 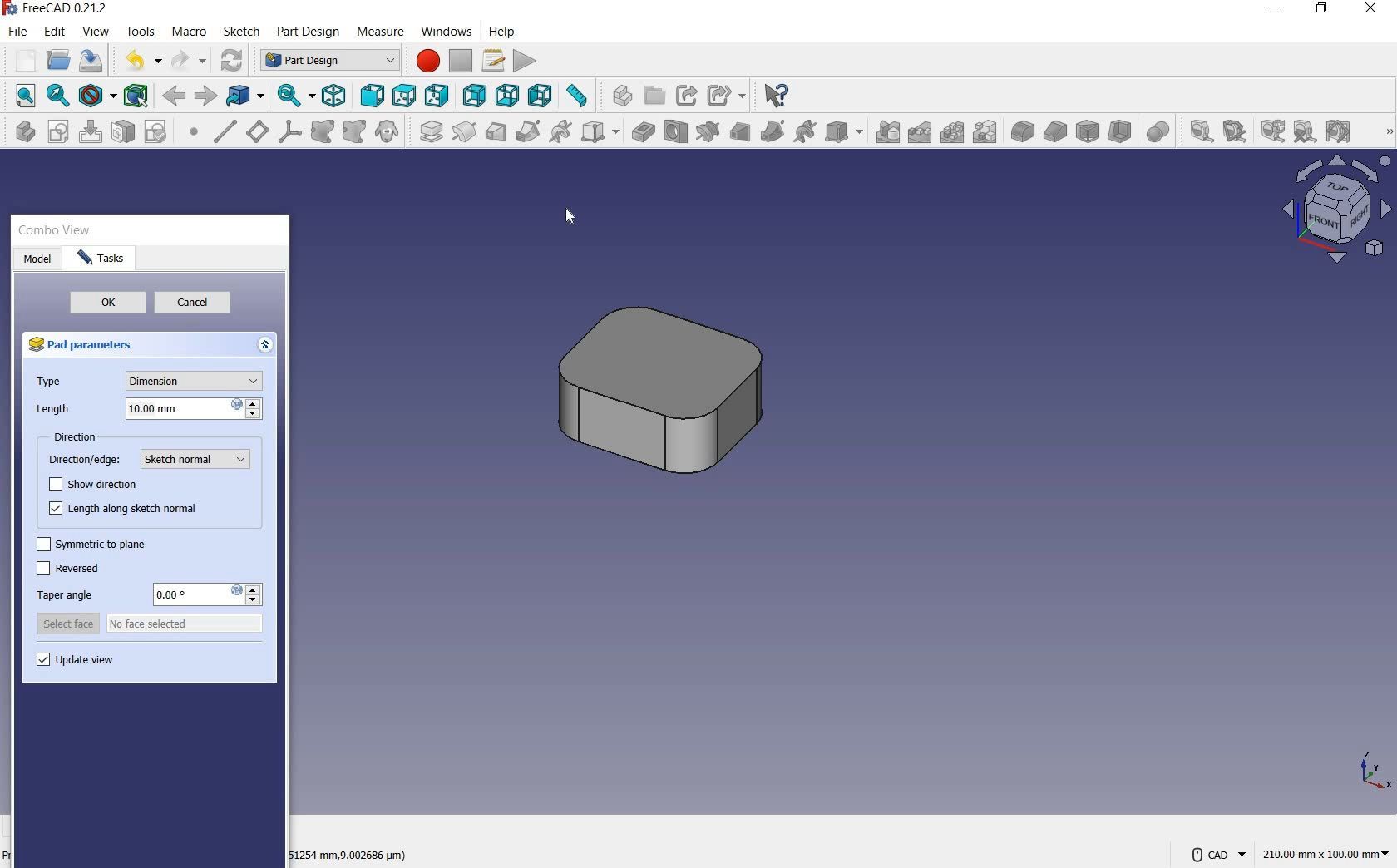 I want to click on Model, so click(x=41, y=259).